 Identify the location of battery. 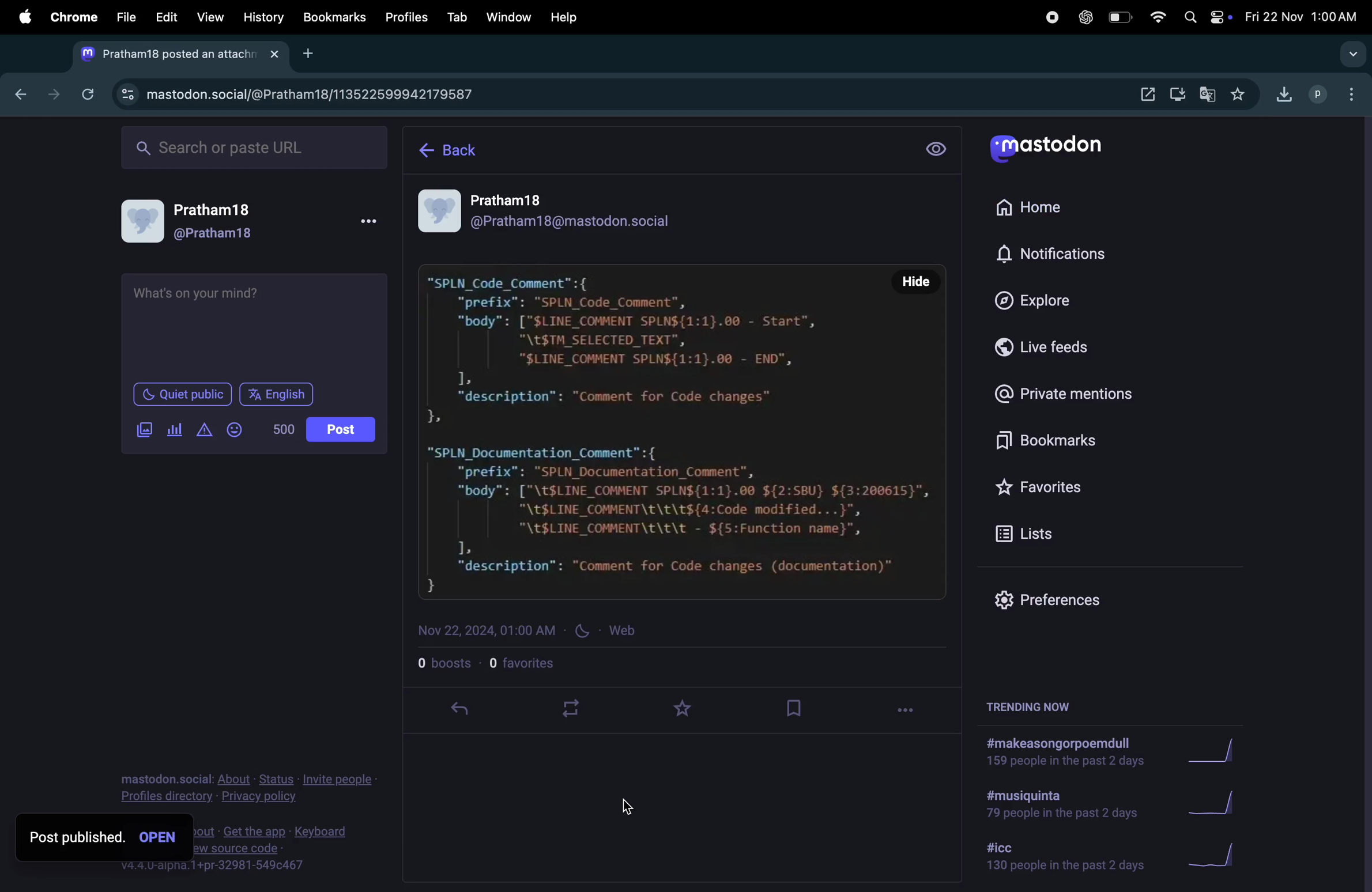
(1115, 17).